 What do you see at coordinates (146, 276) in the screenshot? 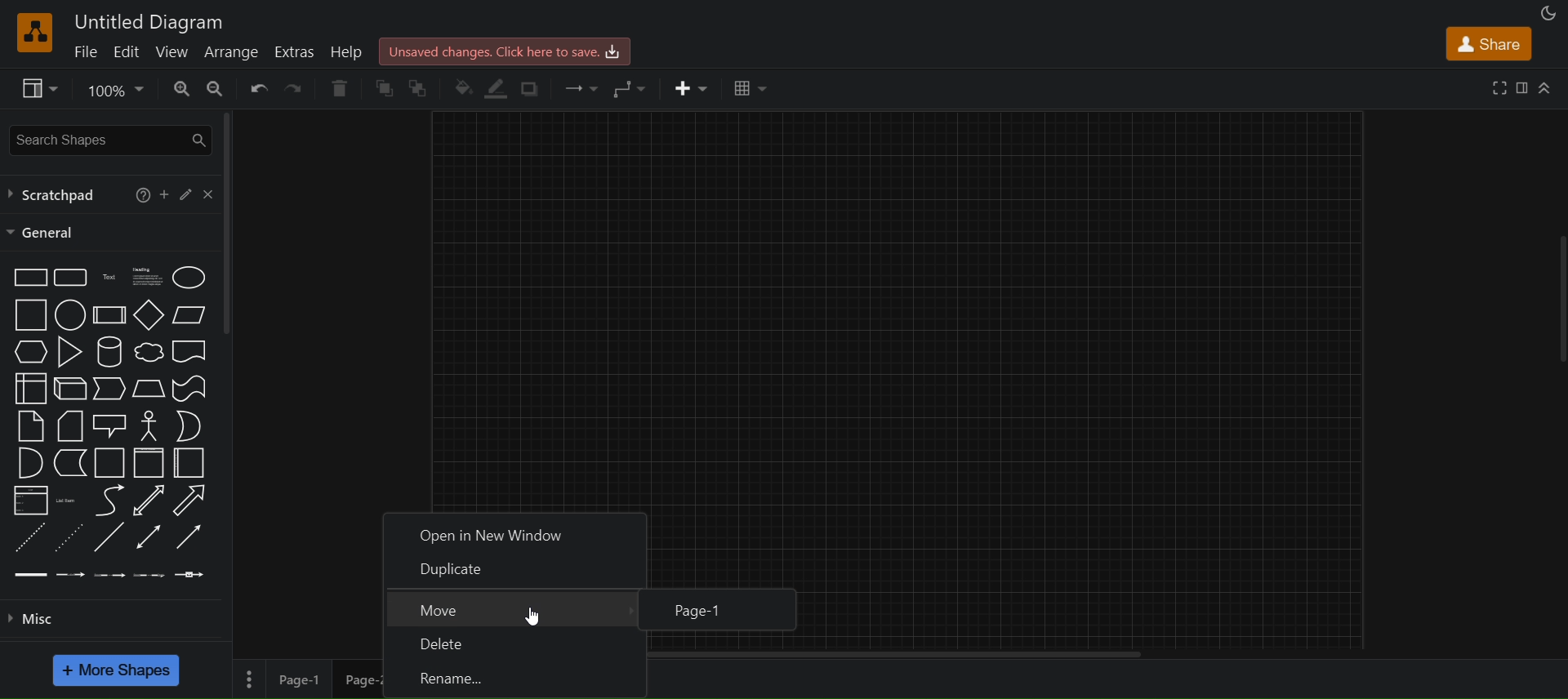
I see `heading` at bounding box center [146, 276].